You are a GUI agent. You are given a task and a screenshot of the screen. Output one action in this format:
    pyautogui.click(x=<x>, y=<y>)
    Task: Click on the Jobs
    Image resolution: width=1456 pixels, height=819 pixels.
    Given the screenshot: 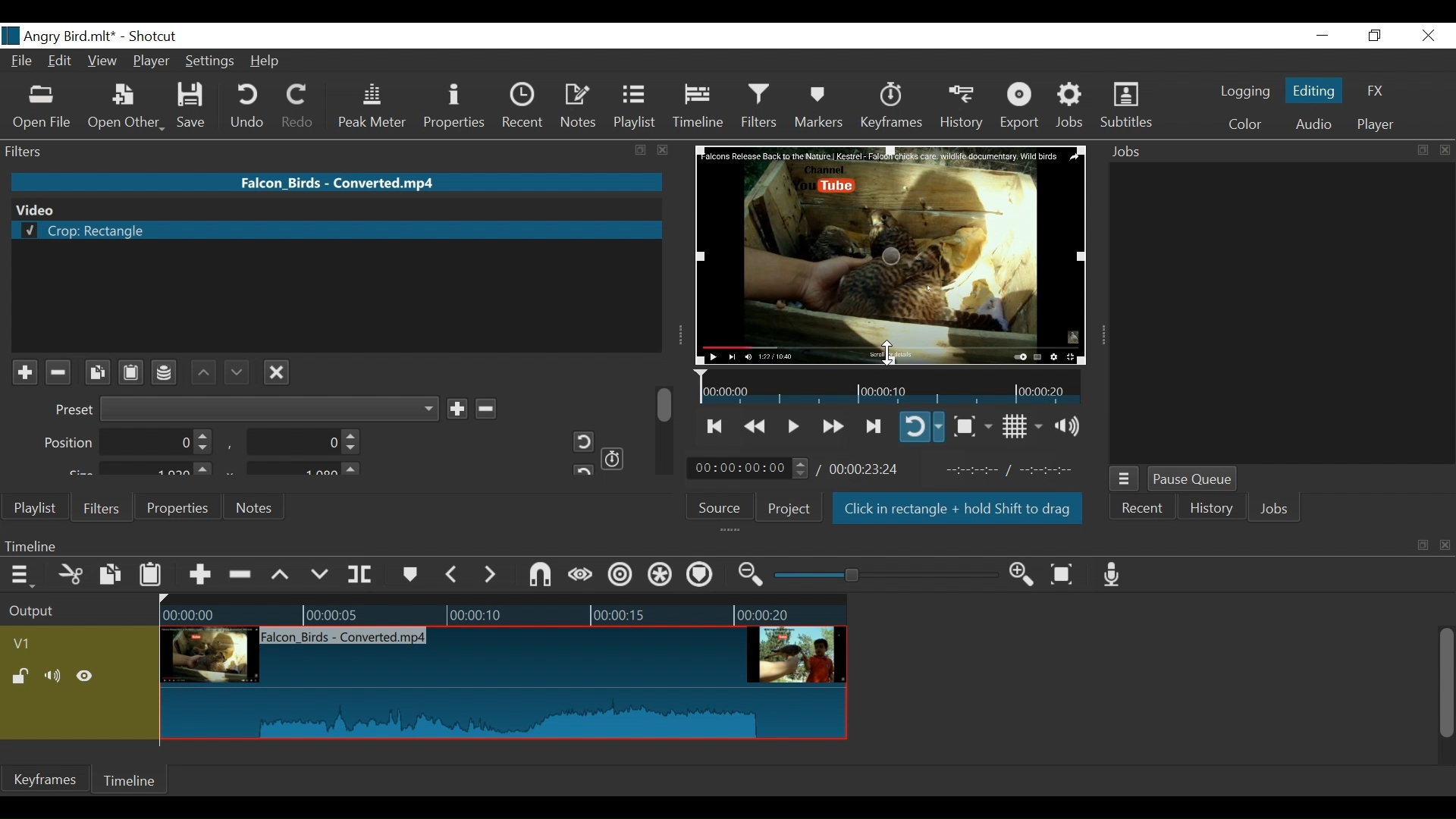 What is the action you would take?
    pyautogui.click(x=1071, y=106)
    